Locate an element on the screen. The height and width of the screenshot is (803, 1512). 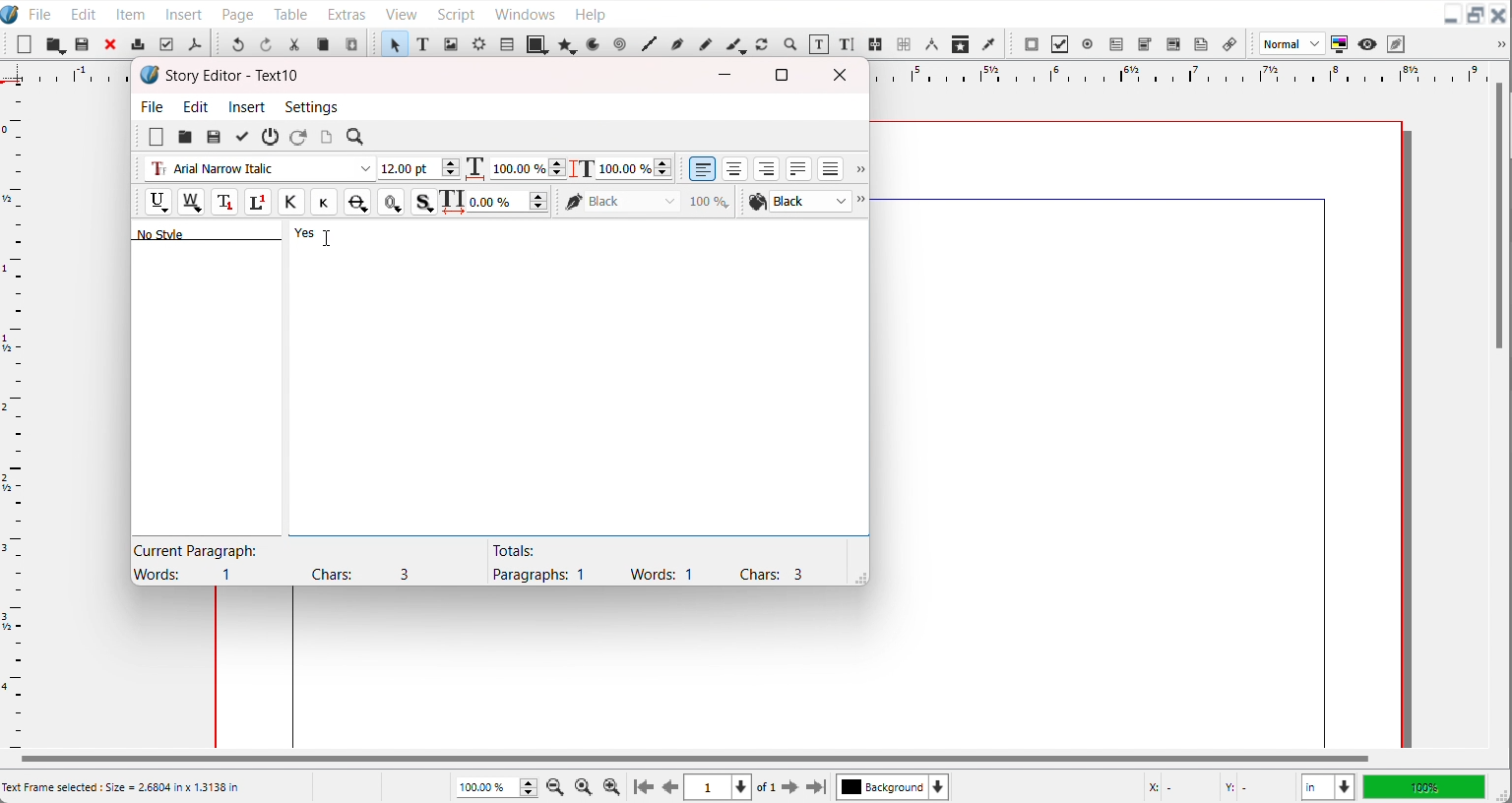
Unlink text frame is located at coordinates (903, 44).